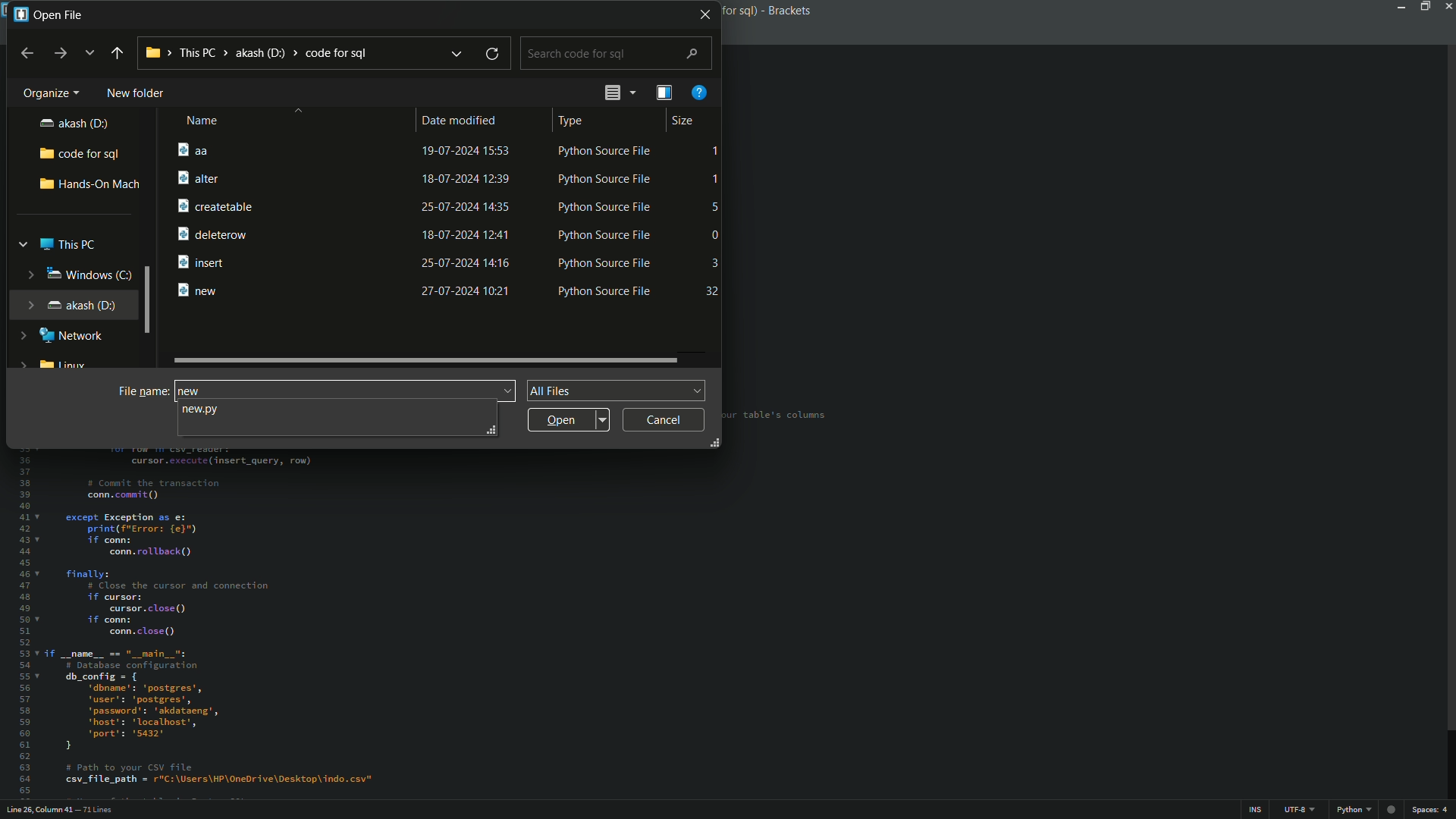 The width and height of the screenshot is (1456, 819). Describe the element at coordinates (615, 93) in the screenshot. I see `change the view` at that location.